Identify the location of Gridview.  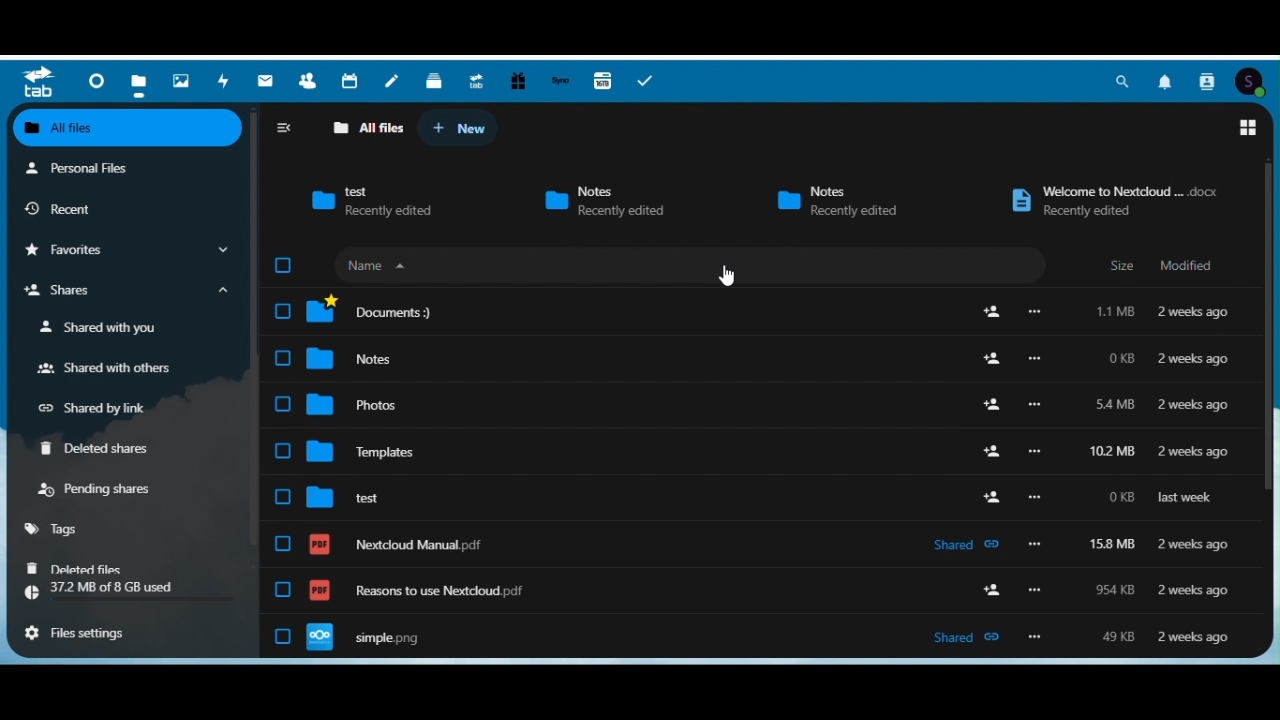
(1248, 130).